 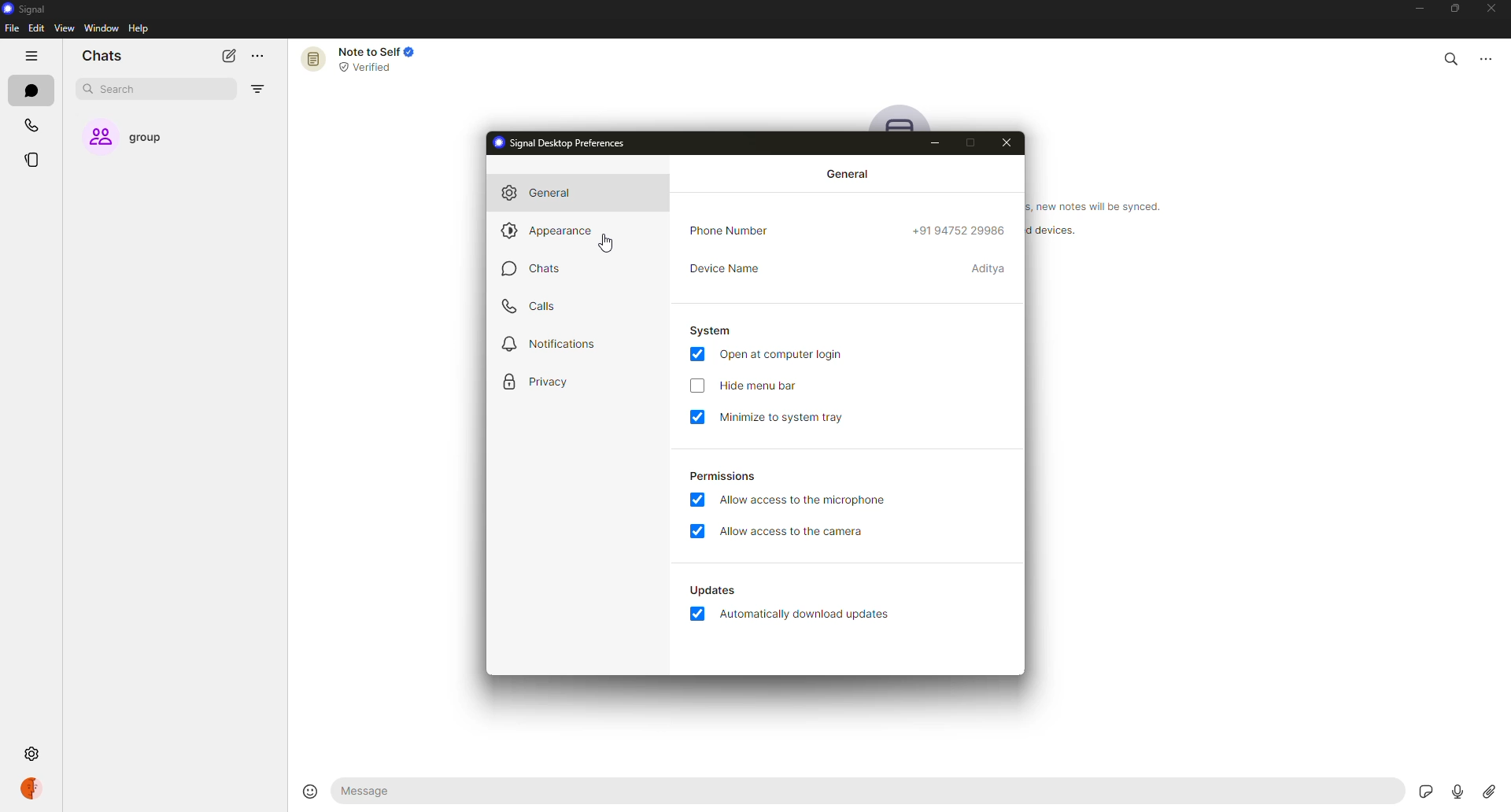 I want to click on notifications, so click(x=552, y=341).